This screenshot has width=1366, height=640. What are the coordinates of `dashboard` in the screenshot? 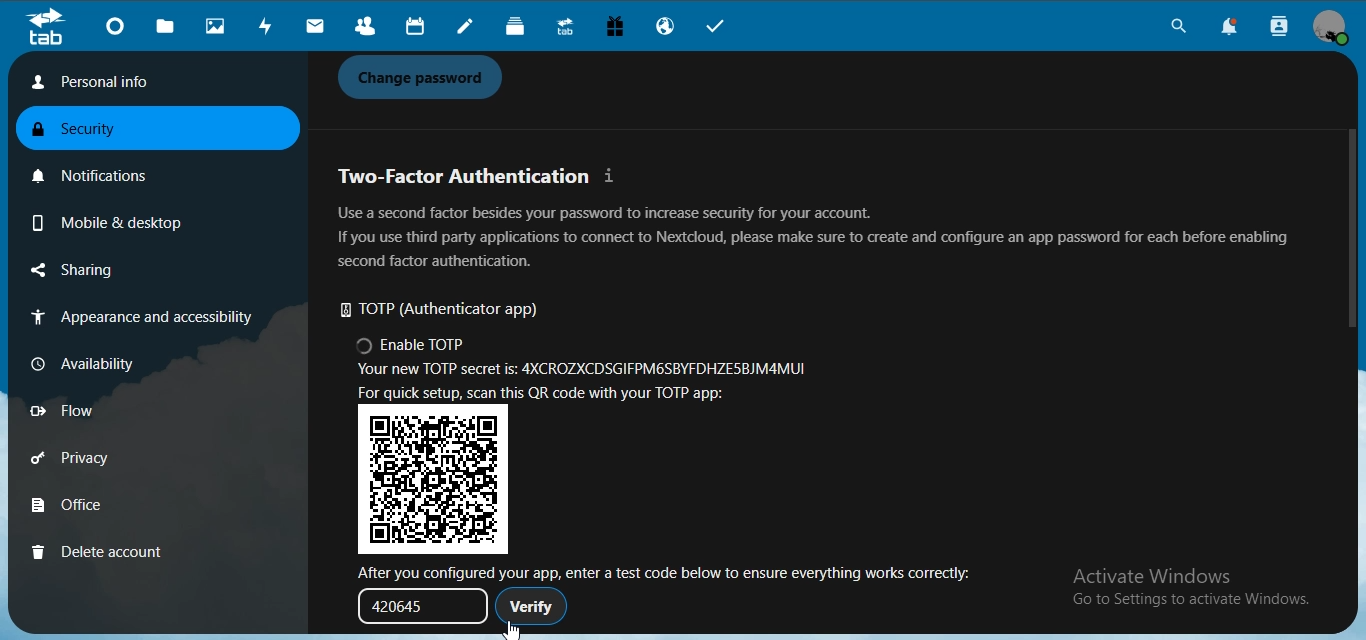 It's located at (118, 29).